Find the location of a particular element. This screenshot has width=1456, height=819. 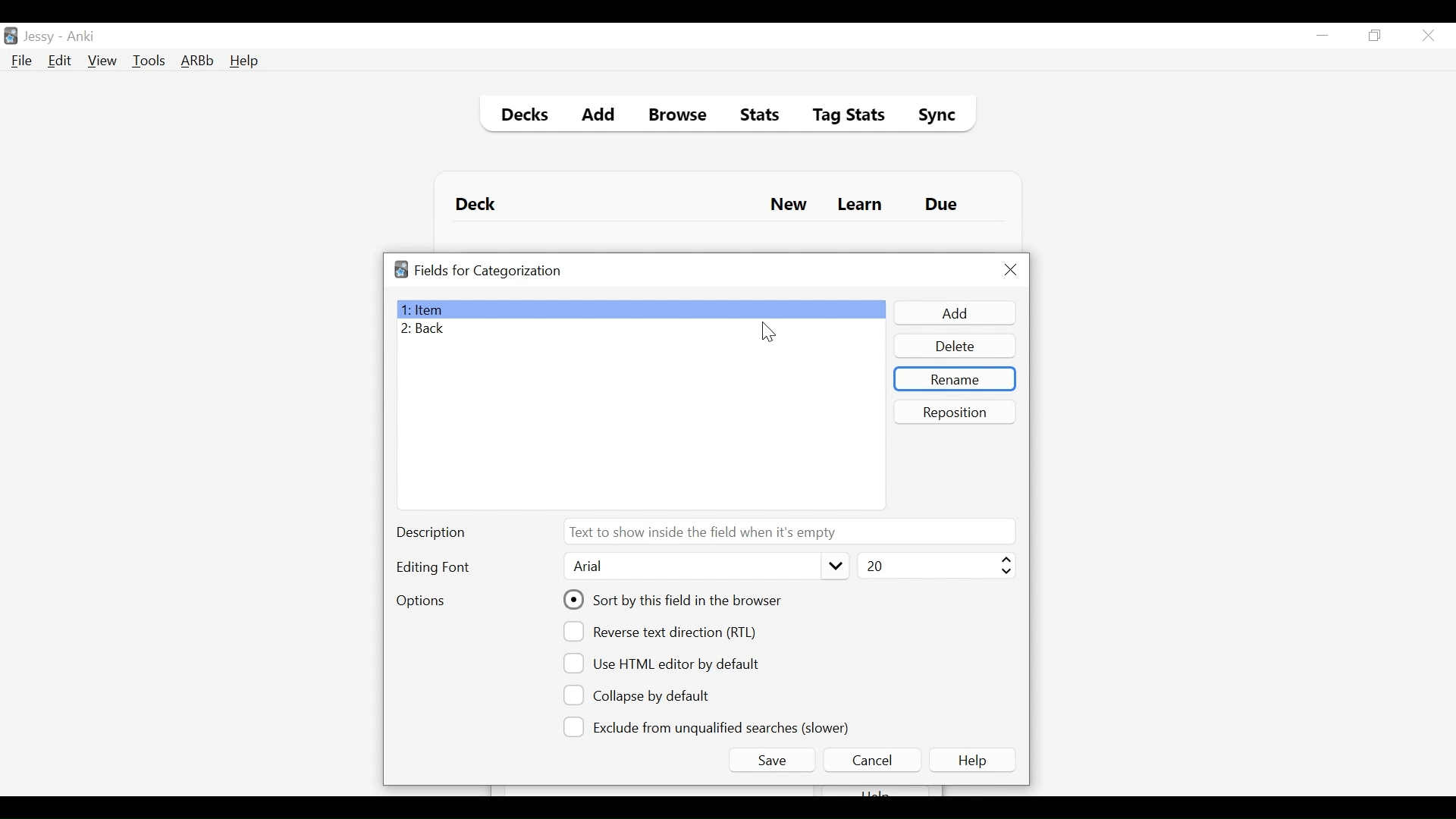

Edit is located at coordinates (58, 62).